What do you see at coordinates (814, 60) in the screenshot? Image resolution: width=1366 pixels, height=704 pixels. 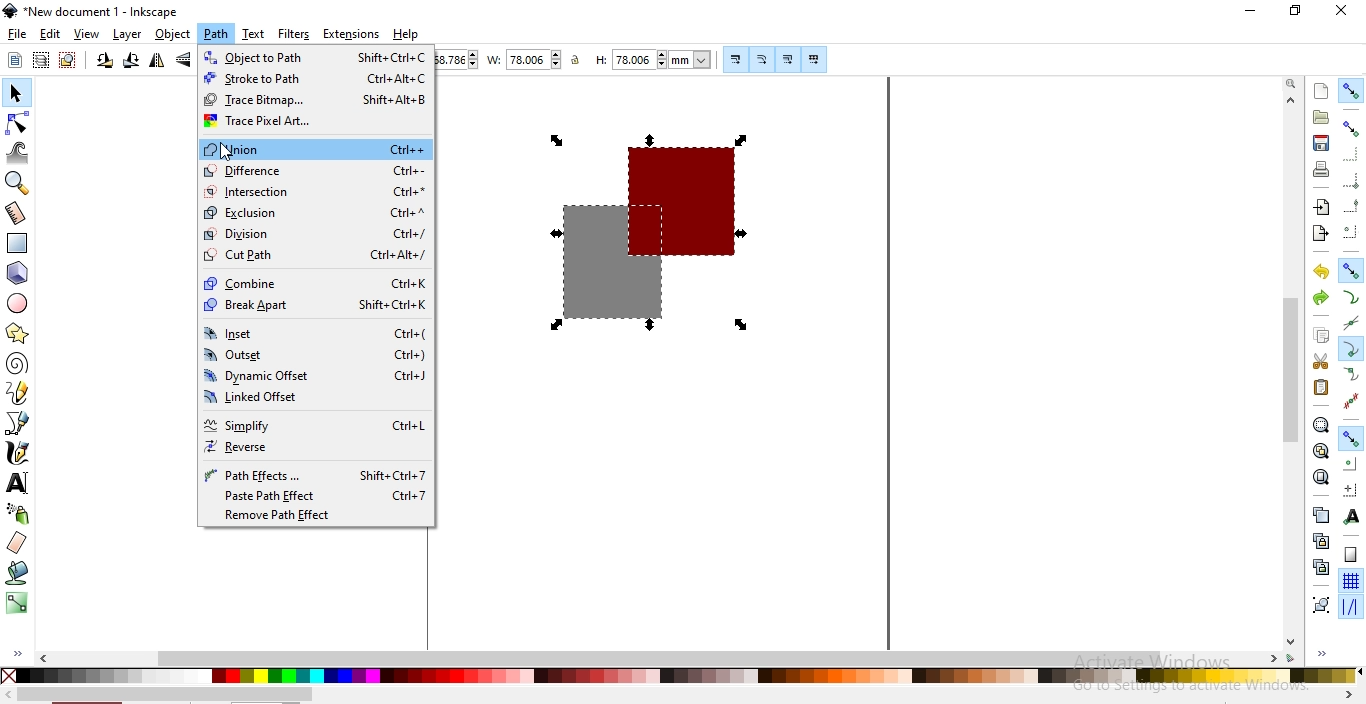 I see `move patterns along with object` at bounding box center [814, 60].